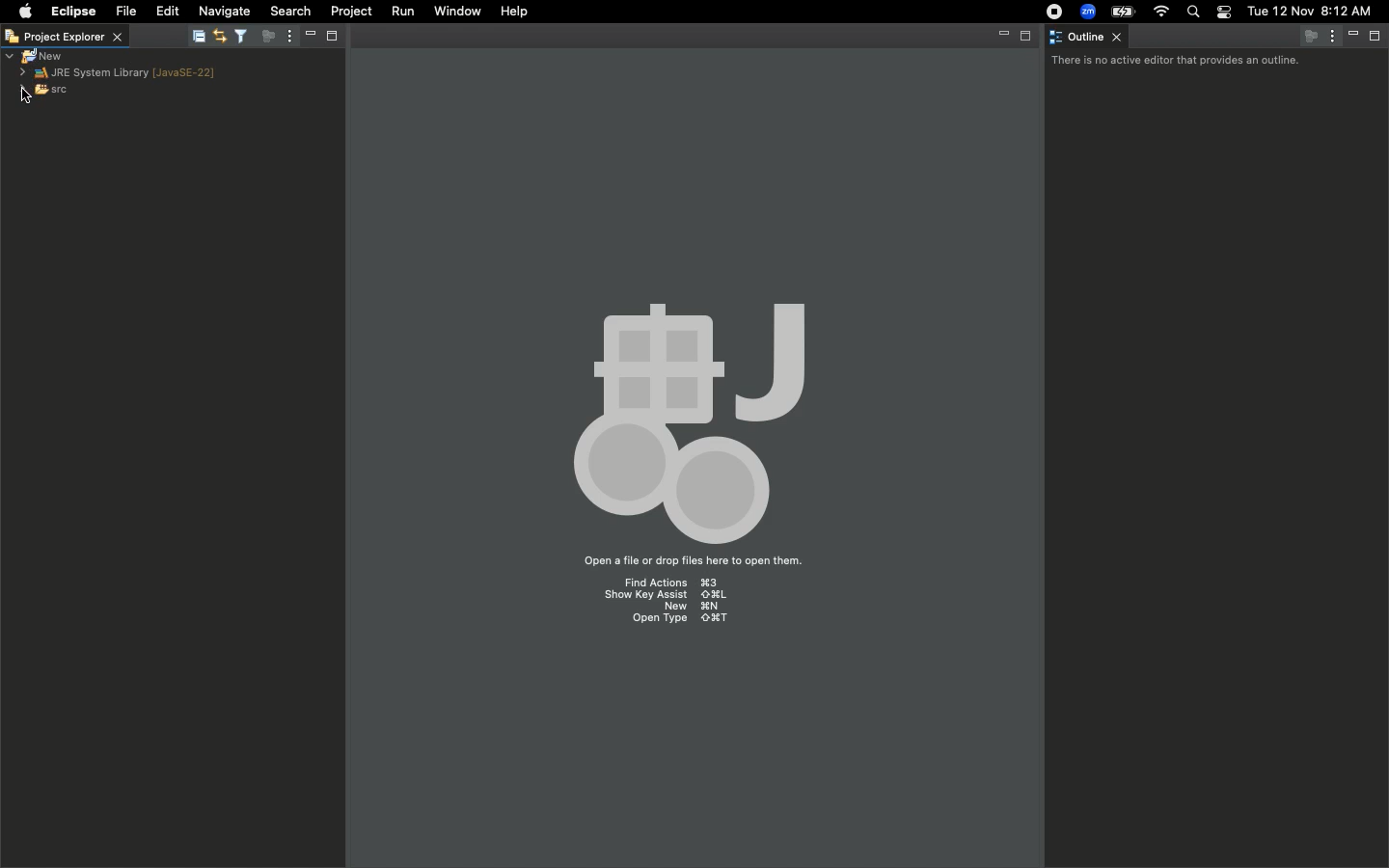 Image resolution: width=1389 pixels, height=868 pixels. I want to click on Charge, so click(1119, 14).